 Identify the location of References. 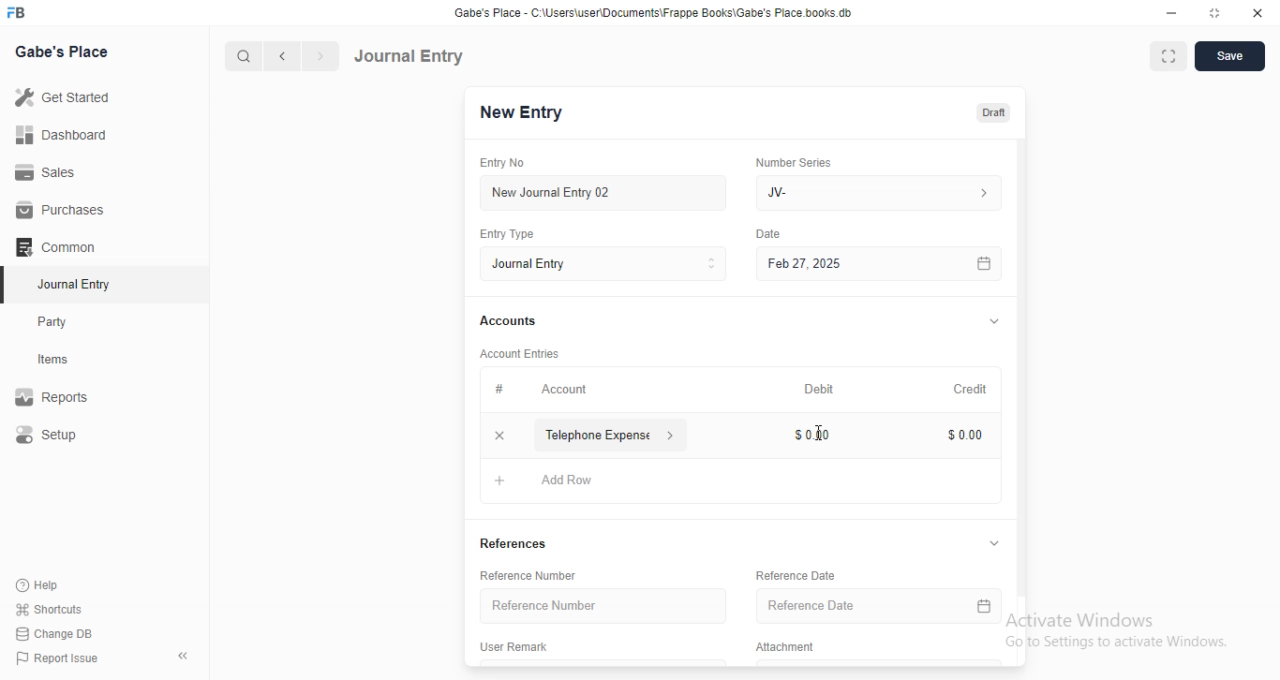
(521, 544).